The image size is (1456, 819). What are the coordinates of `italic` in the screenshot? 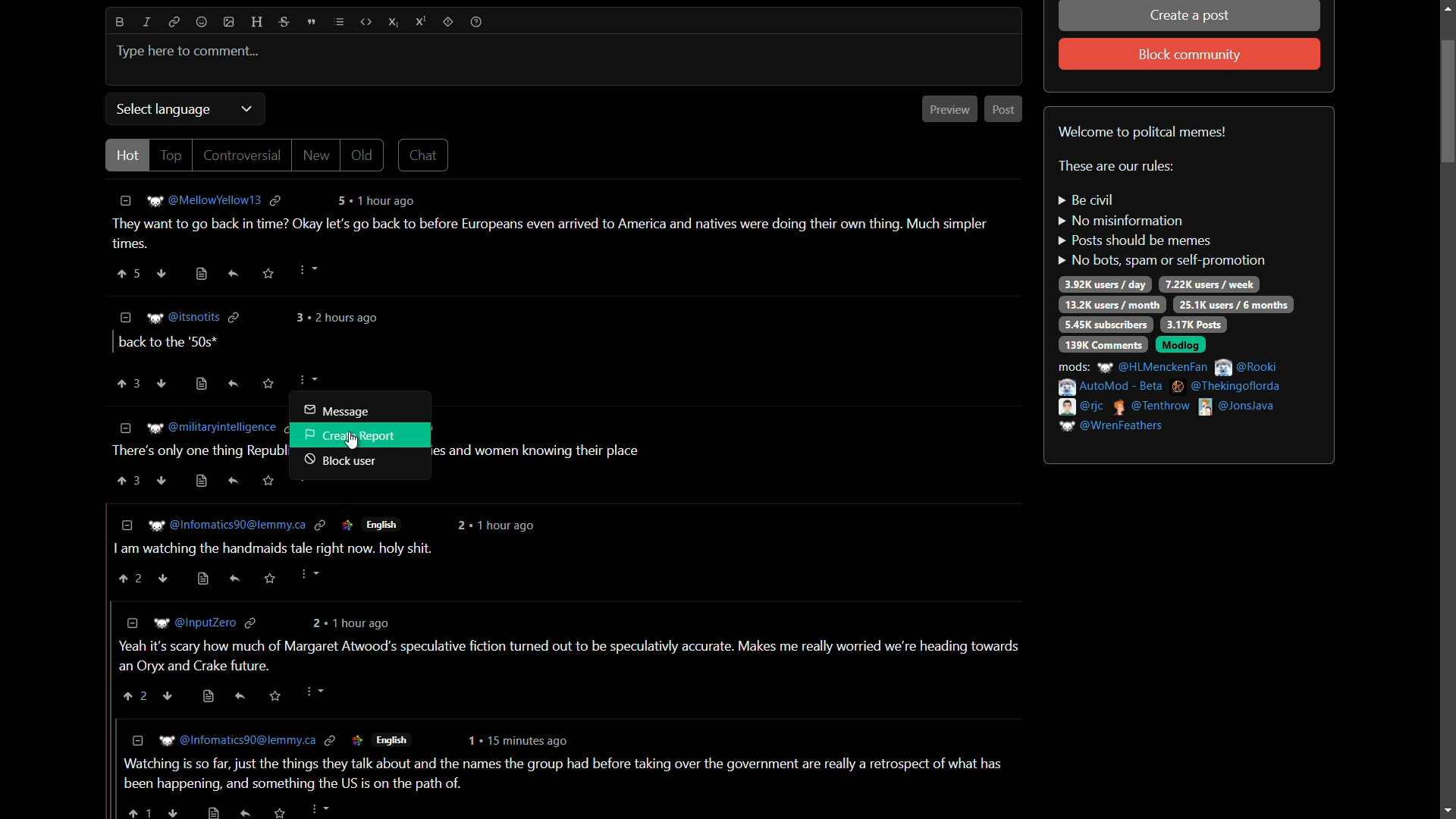 It's located at (148, 22).